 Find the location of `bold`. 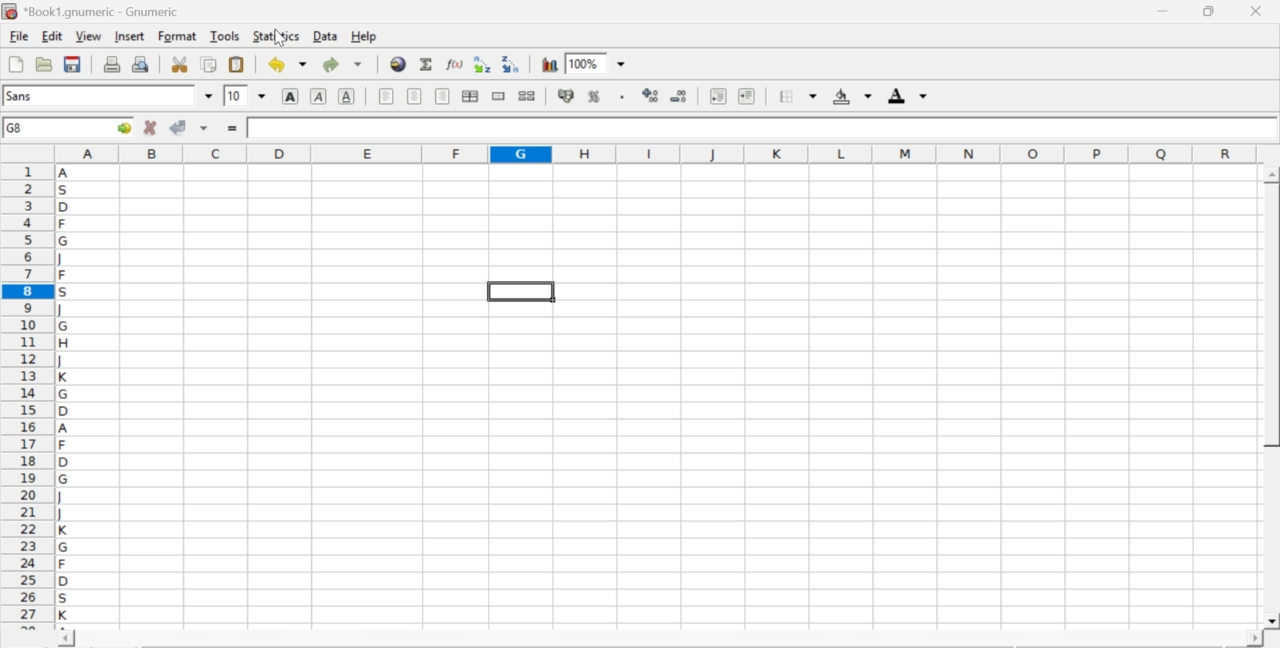

bold is located at coordinates (291, 95).